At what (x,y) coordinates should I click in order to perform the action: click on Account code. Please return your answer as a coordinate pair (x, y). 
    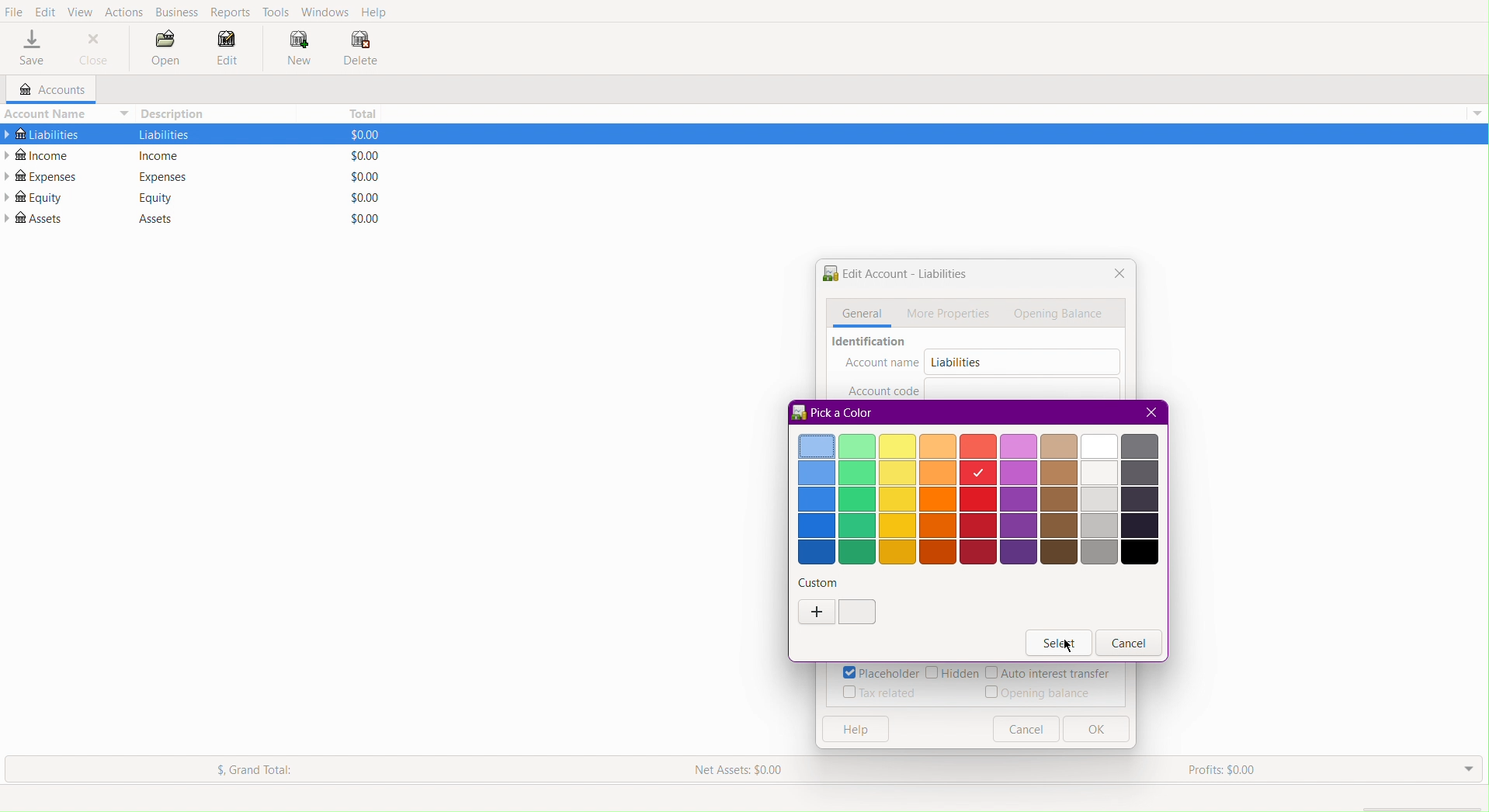
    Looking at the image, I should click on (883, 389).